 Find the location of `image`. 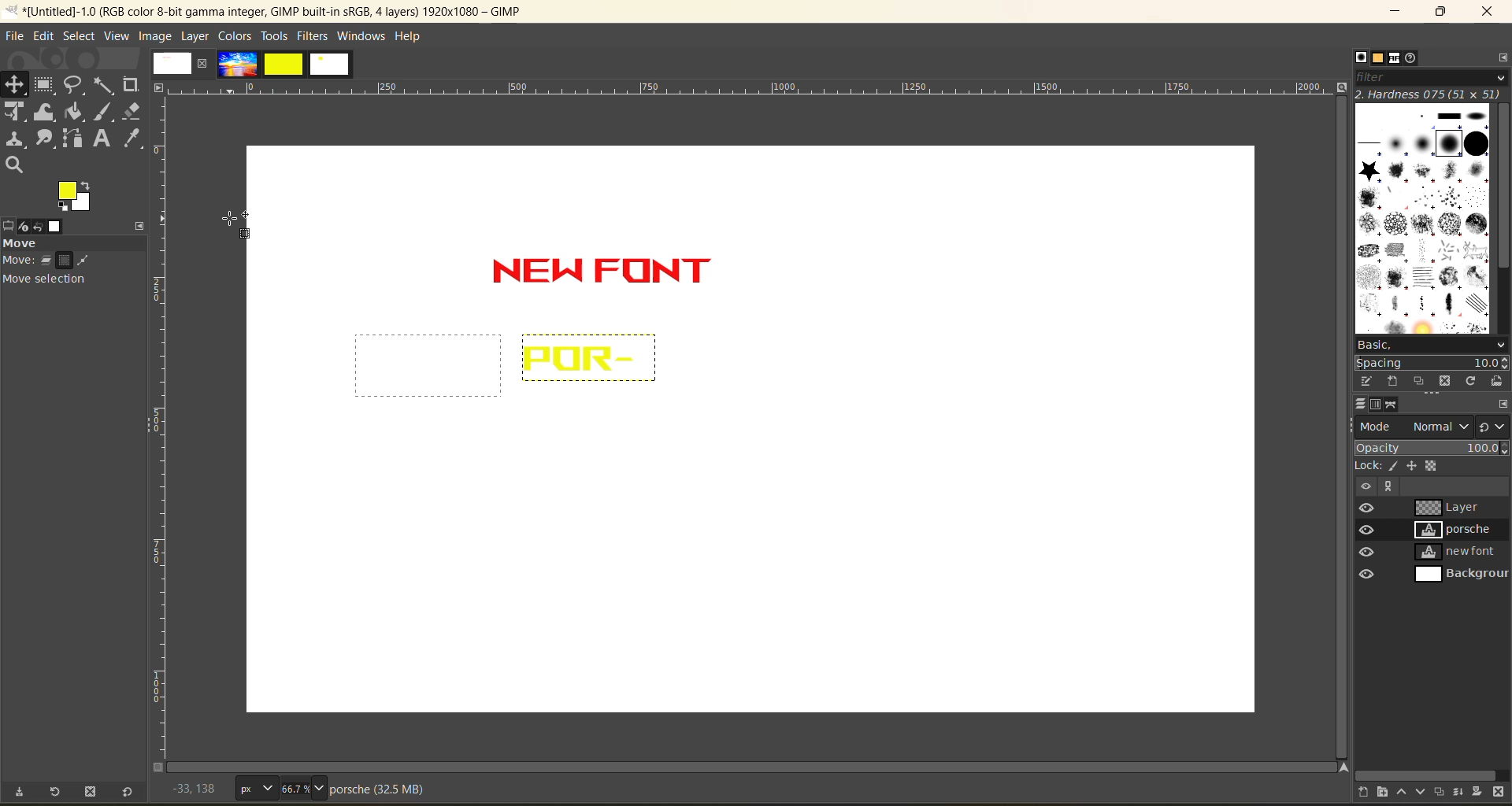

image is located at coordinates (55, 227).